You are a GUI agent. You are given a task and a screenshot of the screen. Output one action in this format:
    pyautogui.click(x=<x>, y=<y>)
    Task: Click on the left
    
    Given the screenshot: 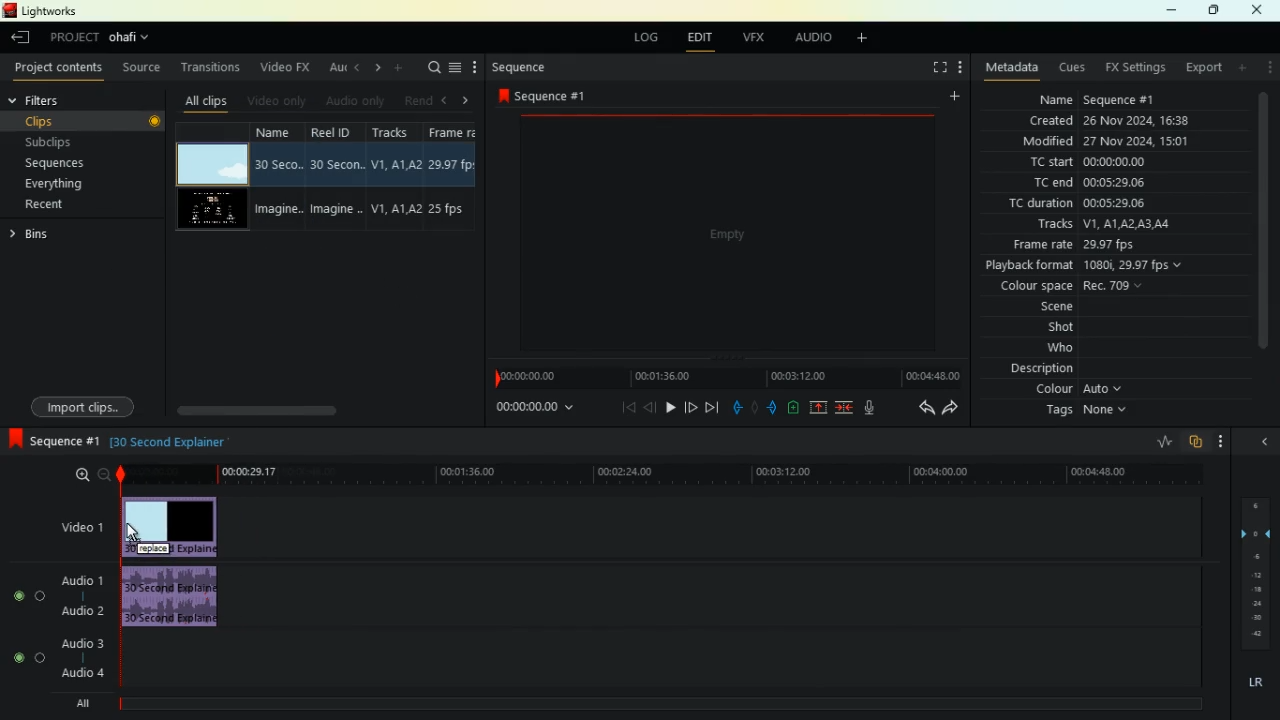 What is the action you would take?
    pyautogui.click(x=447, y=100)
    